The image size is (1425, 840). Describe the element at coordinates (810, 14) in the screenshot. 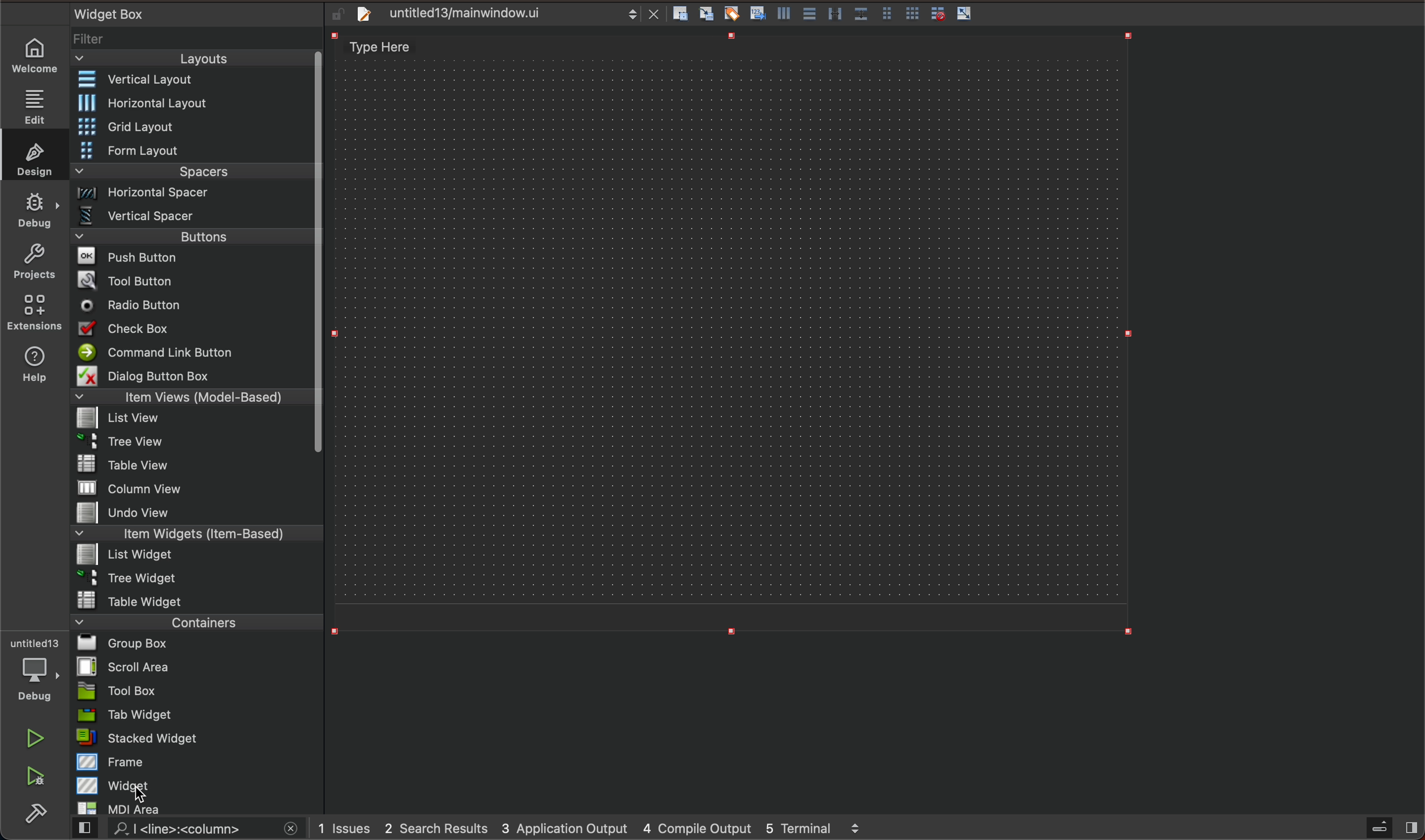

I see `Horizontal` at that location.